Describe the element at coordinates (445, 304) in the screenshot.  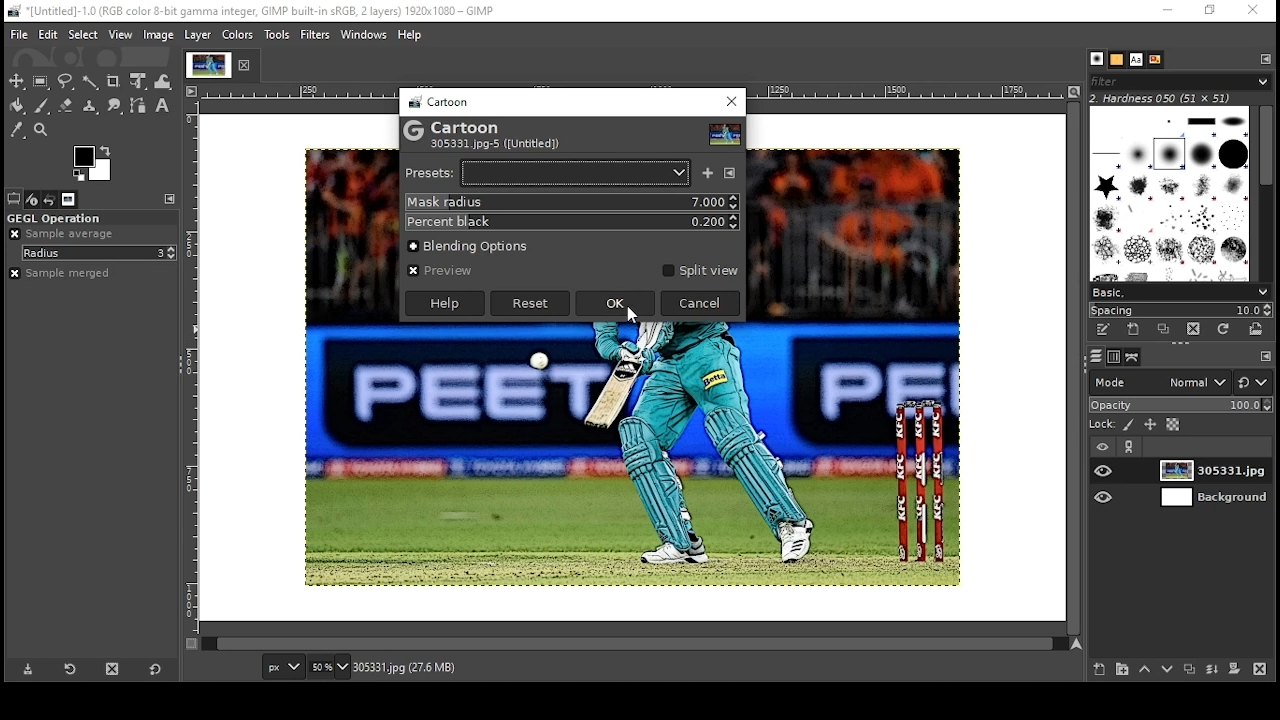
I see `help` at that location.